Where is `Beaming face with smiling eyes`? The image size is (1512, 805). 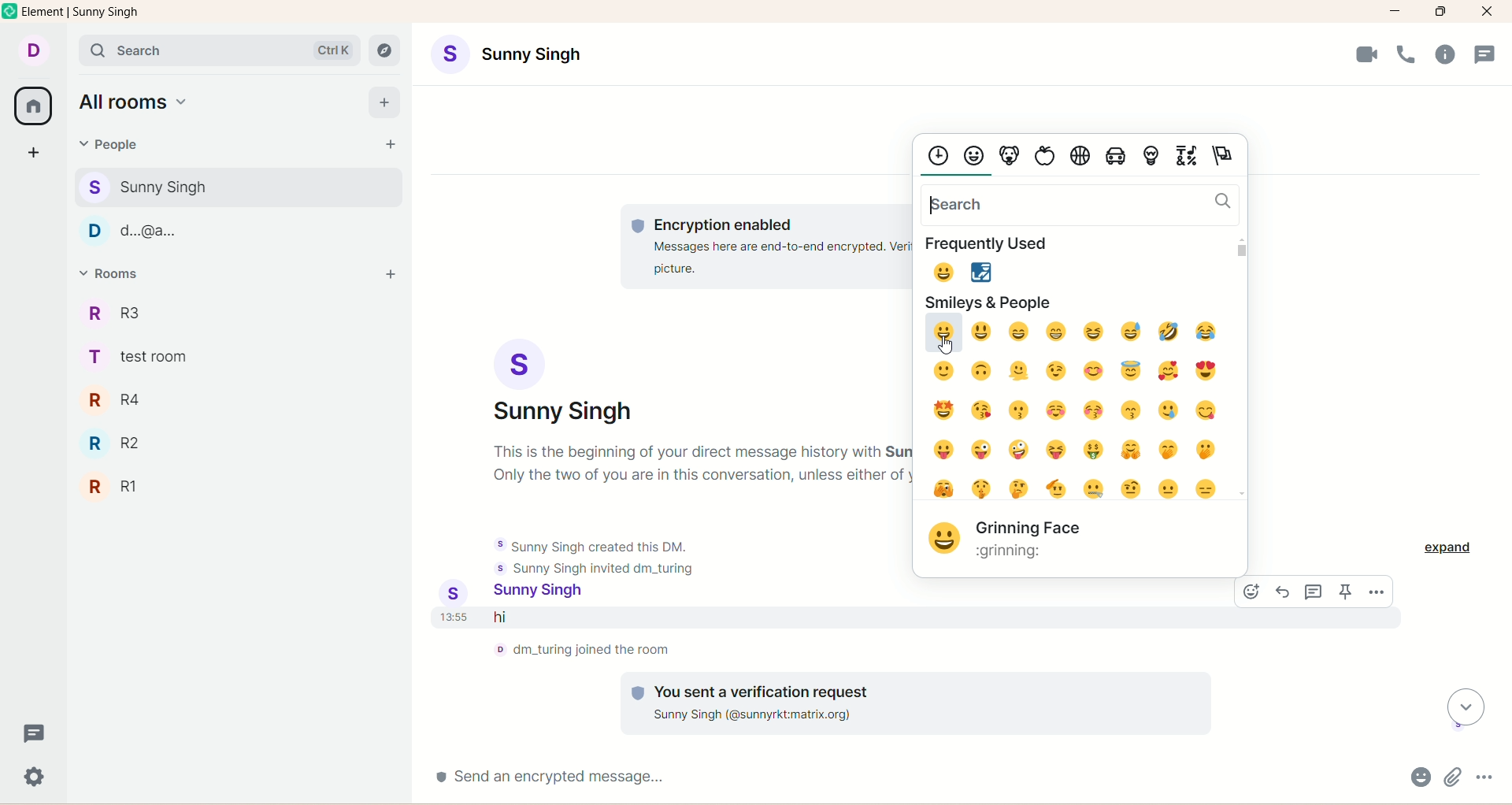
Beaming face with smiling eyes is located at coordinates (1057, 332).